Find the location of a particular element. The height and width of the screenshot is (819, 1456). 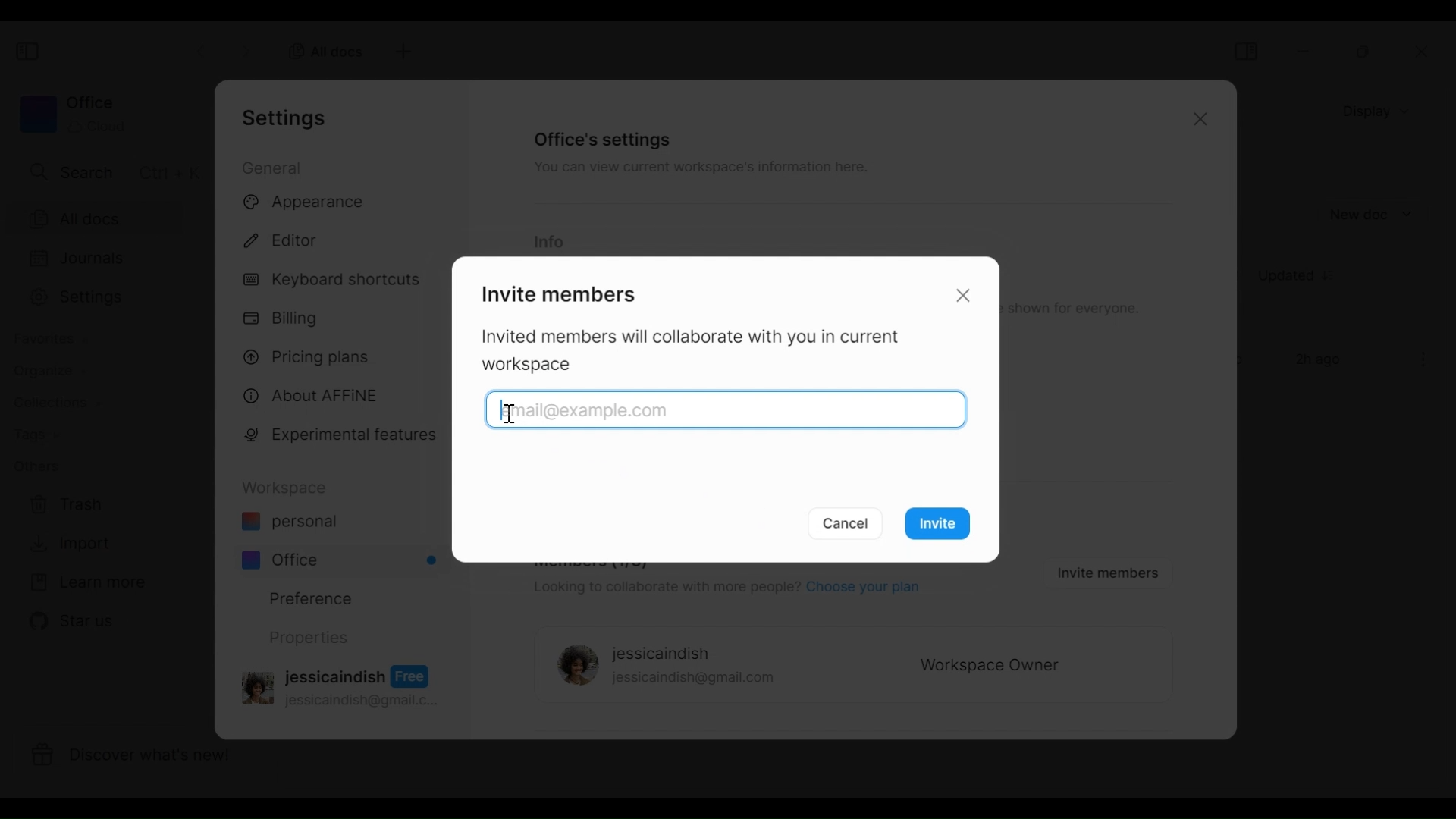

close is located at coordinates (1426, 52).